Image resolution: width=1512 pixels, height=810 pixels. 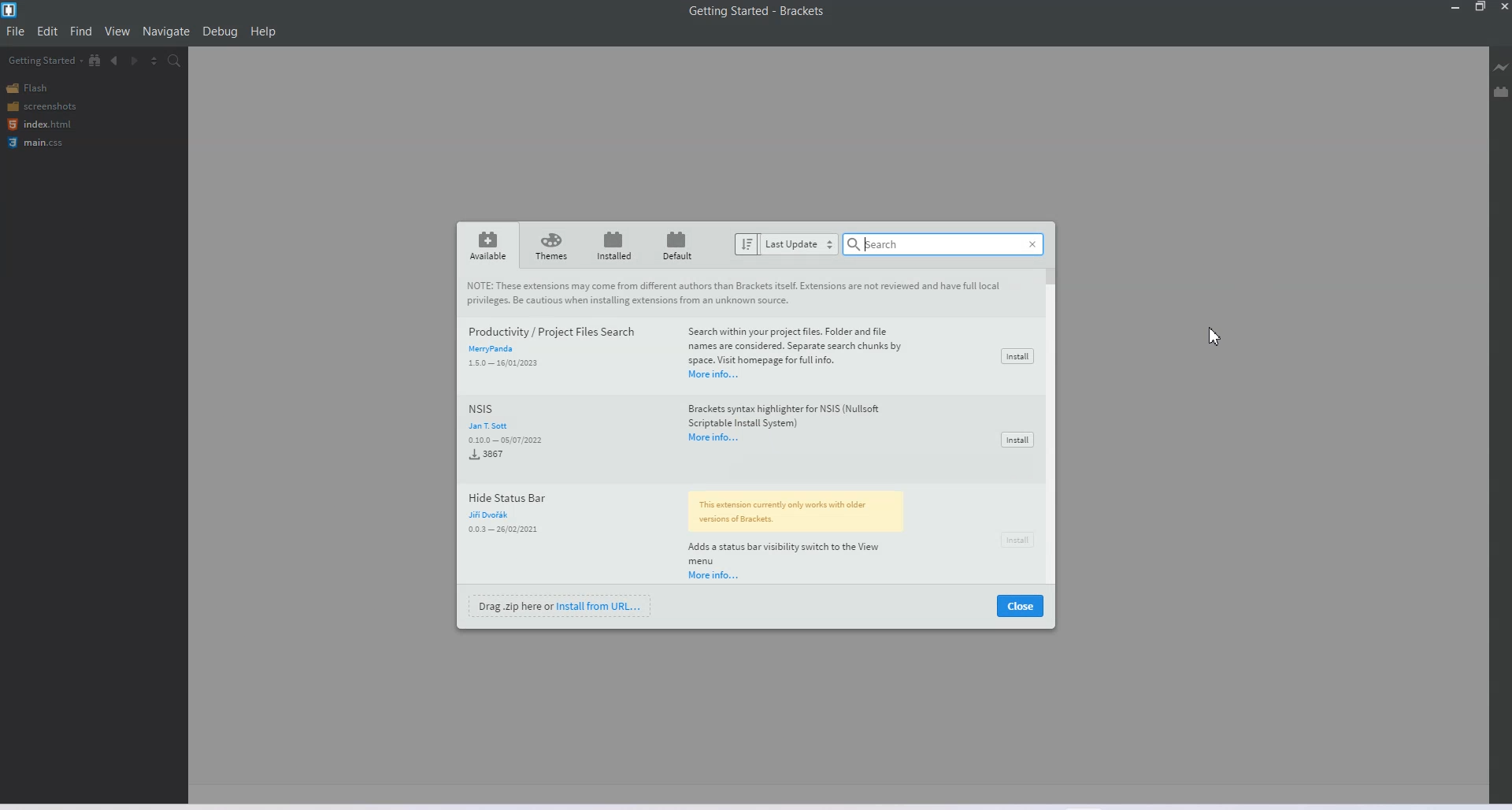 I want to click on Debug, so click(x=220, y=32).